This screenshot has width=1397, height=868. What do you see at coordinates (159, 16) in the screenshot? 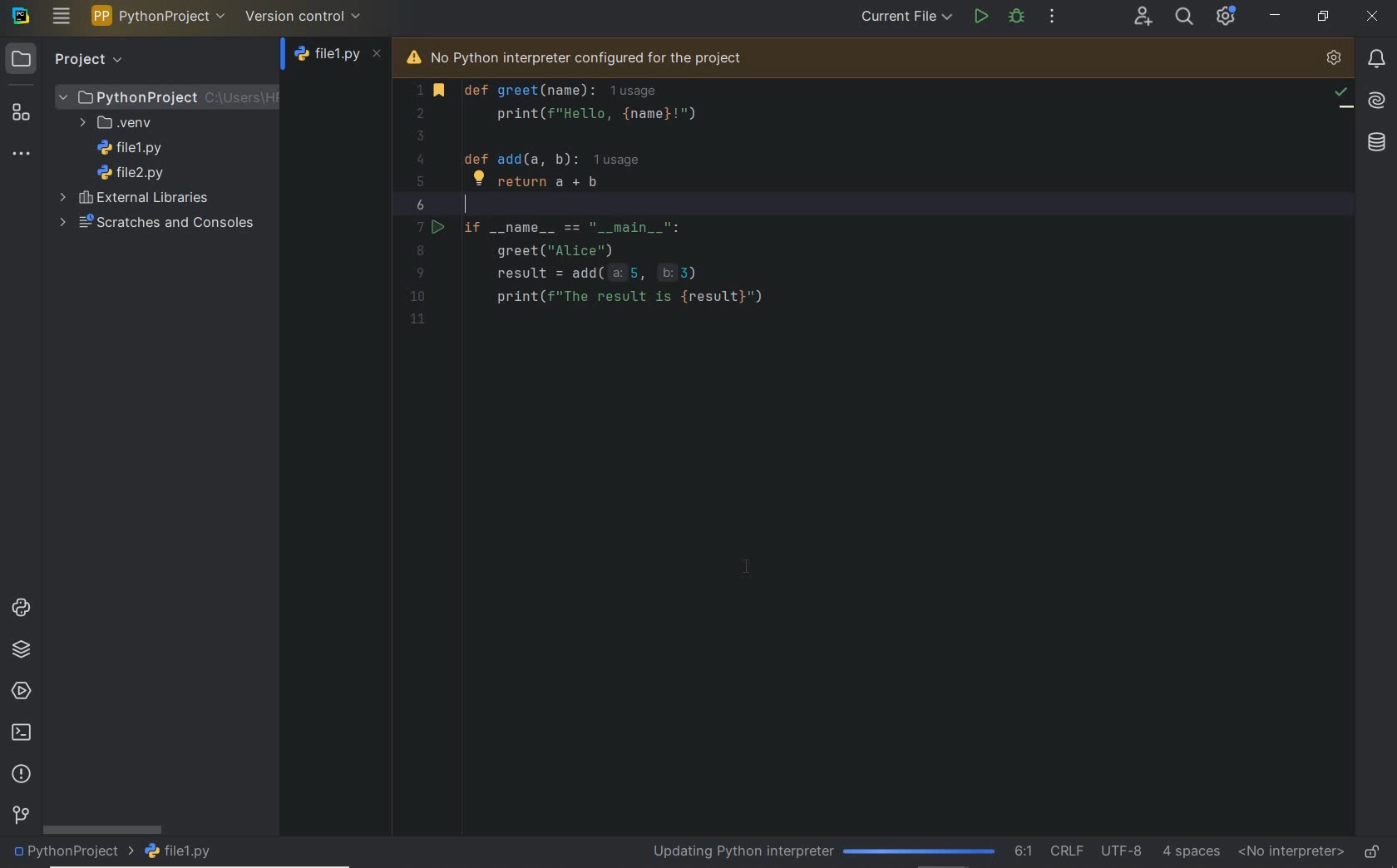
I see `project name` at bounding box center [159, 16].